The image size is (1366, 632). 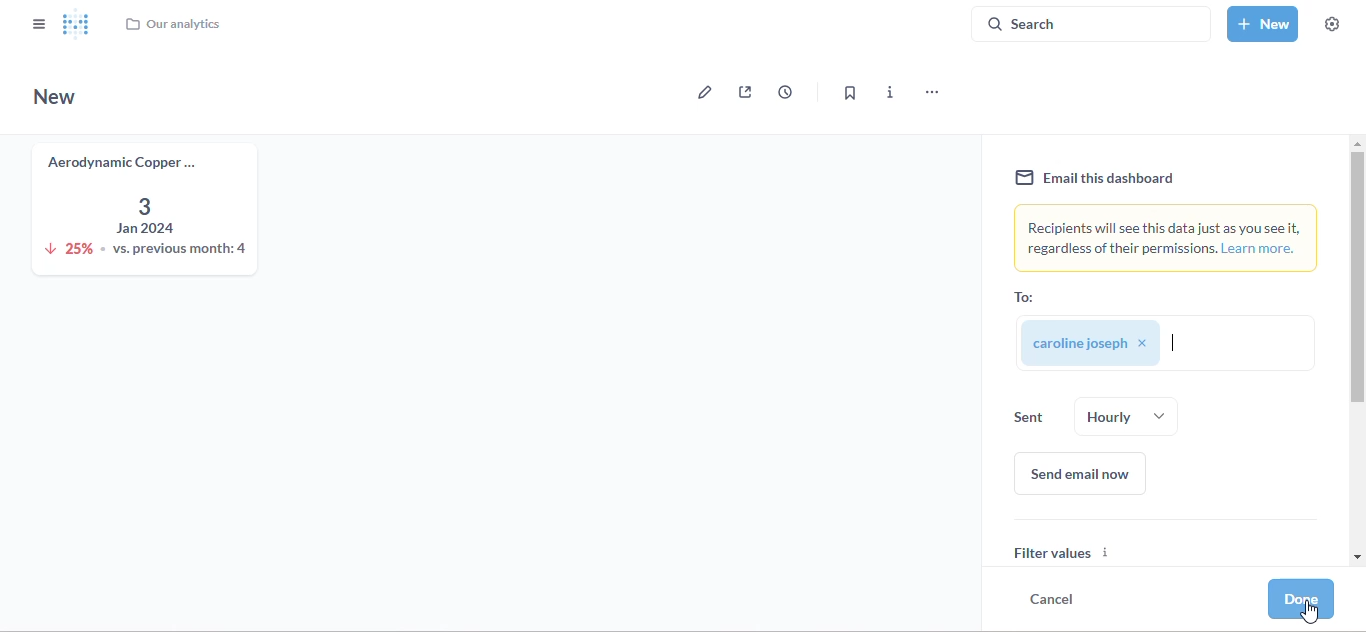 I want to click on filter values, so click(x=1170, y=542).